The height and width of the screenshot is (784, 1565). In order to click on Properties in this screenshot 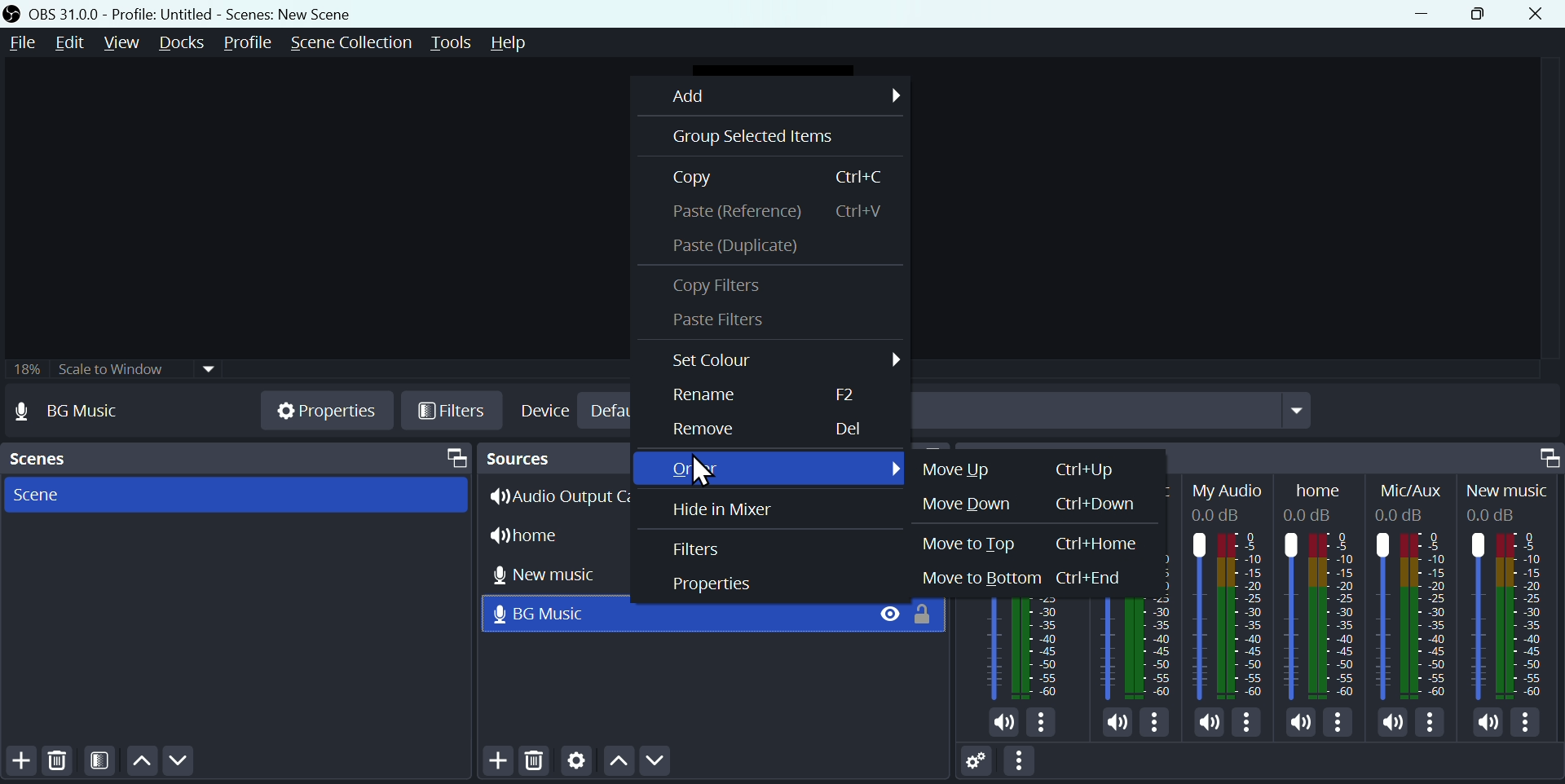, I will do `click(712, 588)`.